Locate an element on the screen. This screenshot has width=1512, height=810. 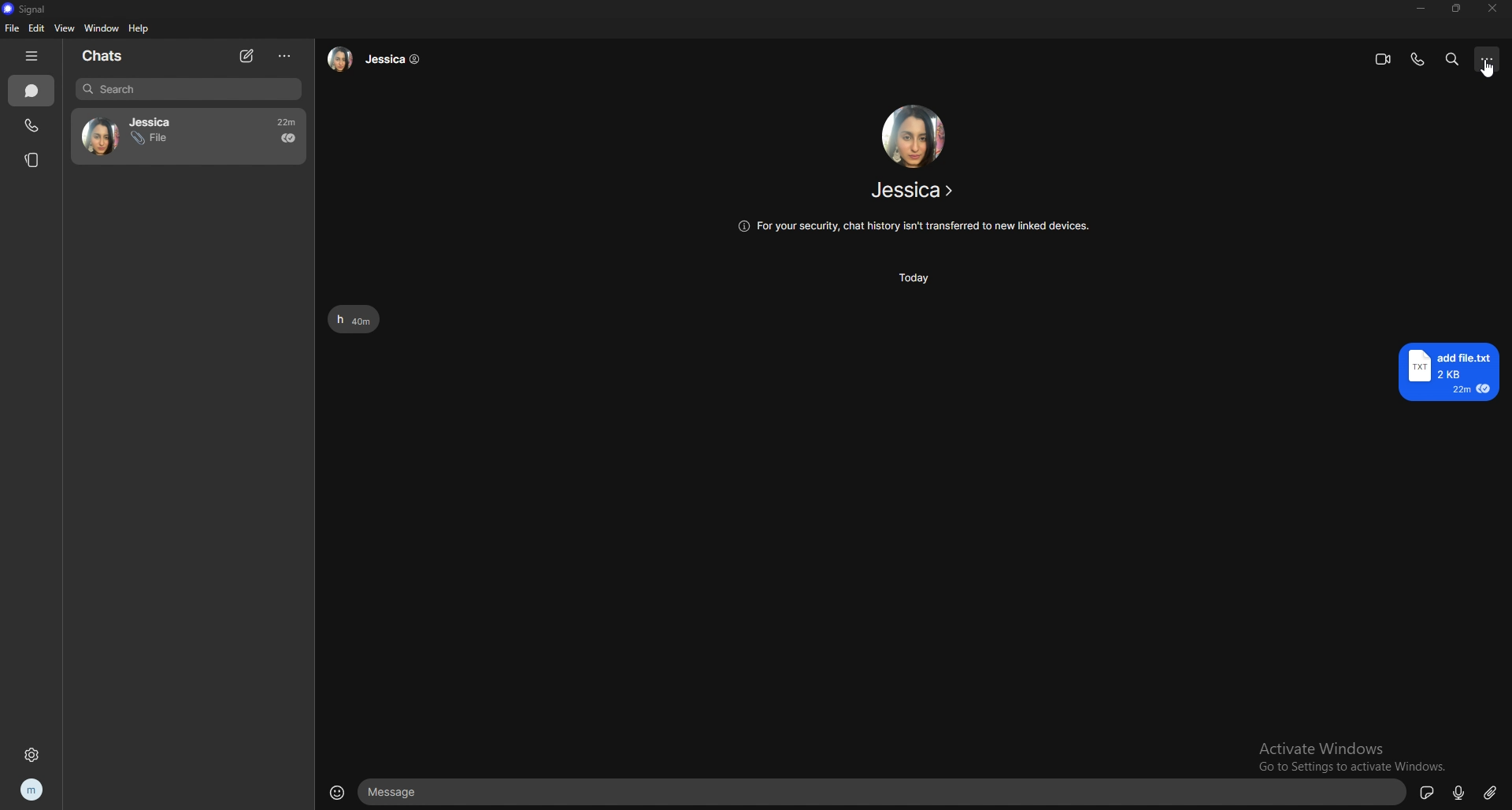
calls is located at coordinates (34, 126).